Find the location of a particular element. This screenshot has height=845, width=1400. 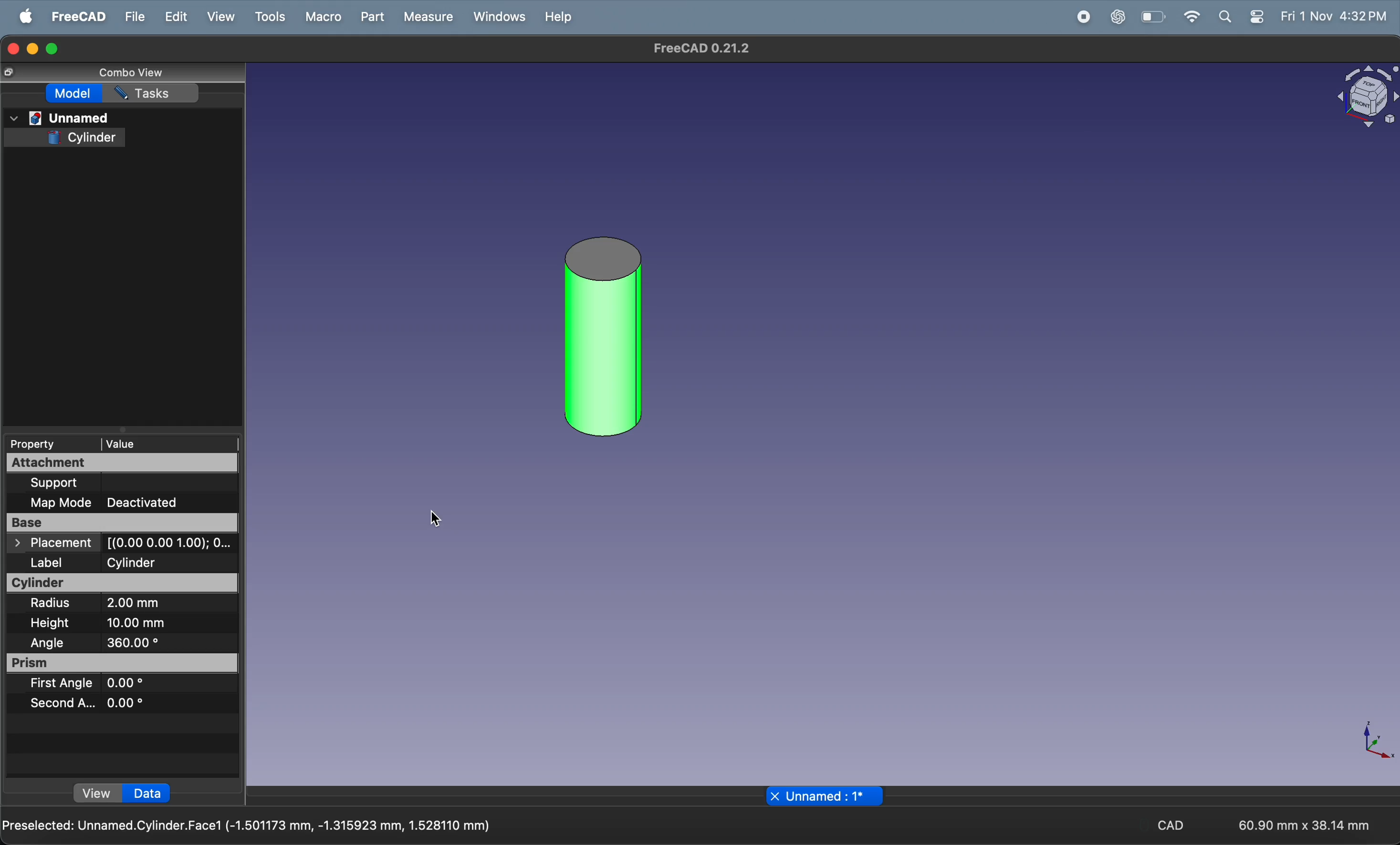

CAD is located at coordinates (1163, 824).